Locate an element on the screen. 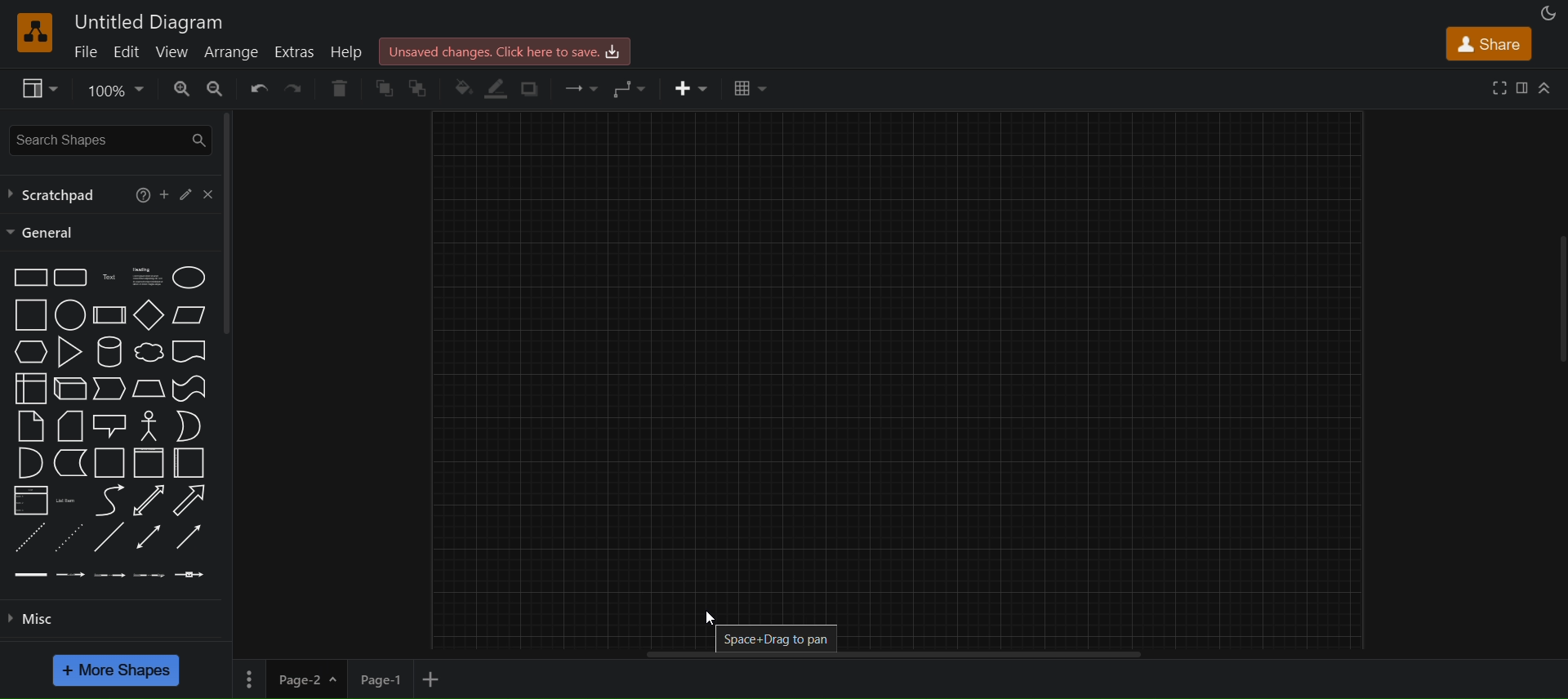  cube is located at coordinates (68, 389).